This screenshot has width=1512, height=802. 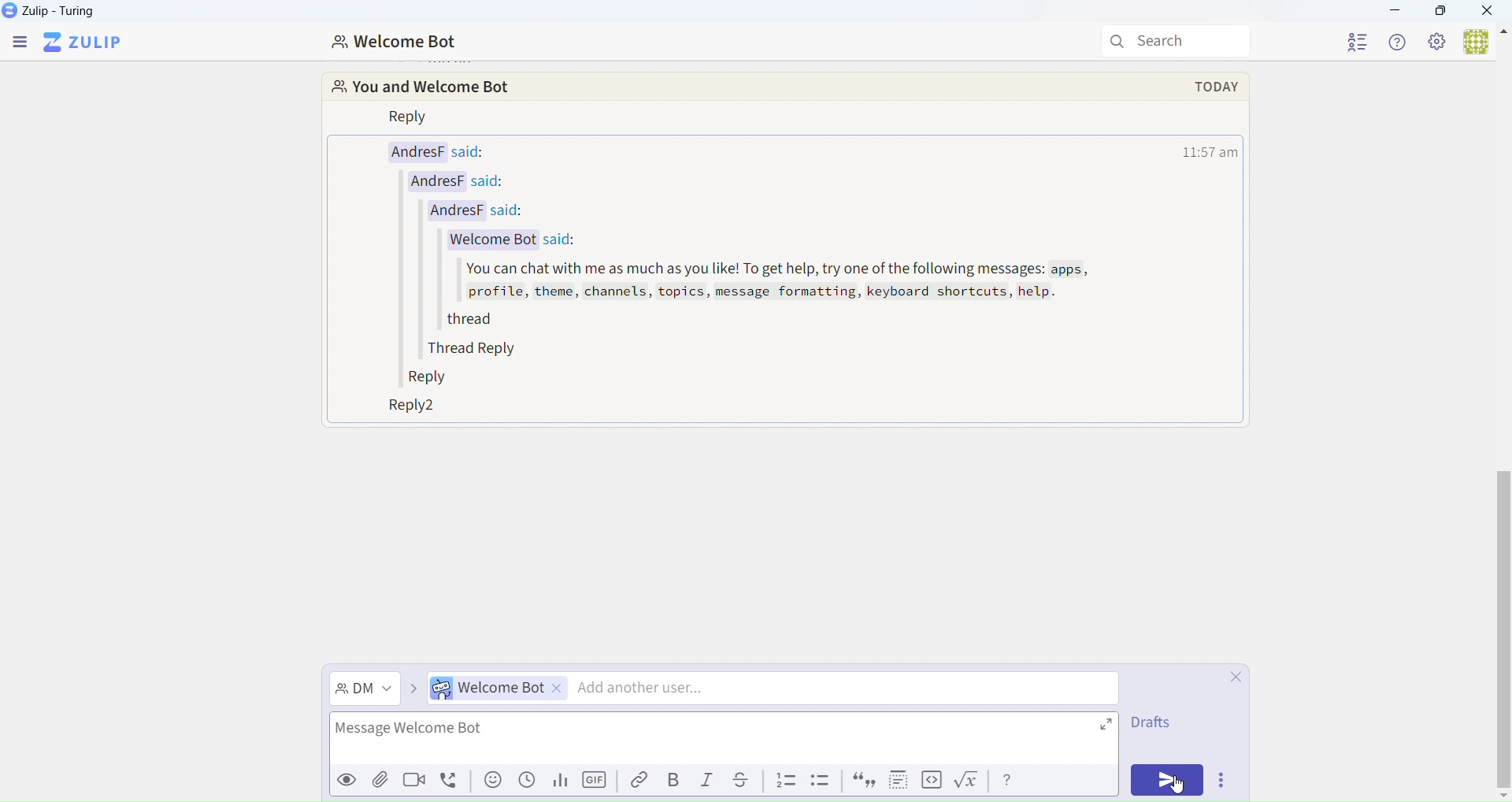 I want to click on Stats, so click(x=559, y=781).